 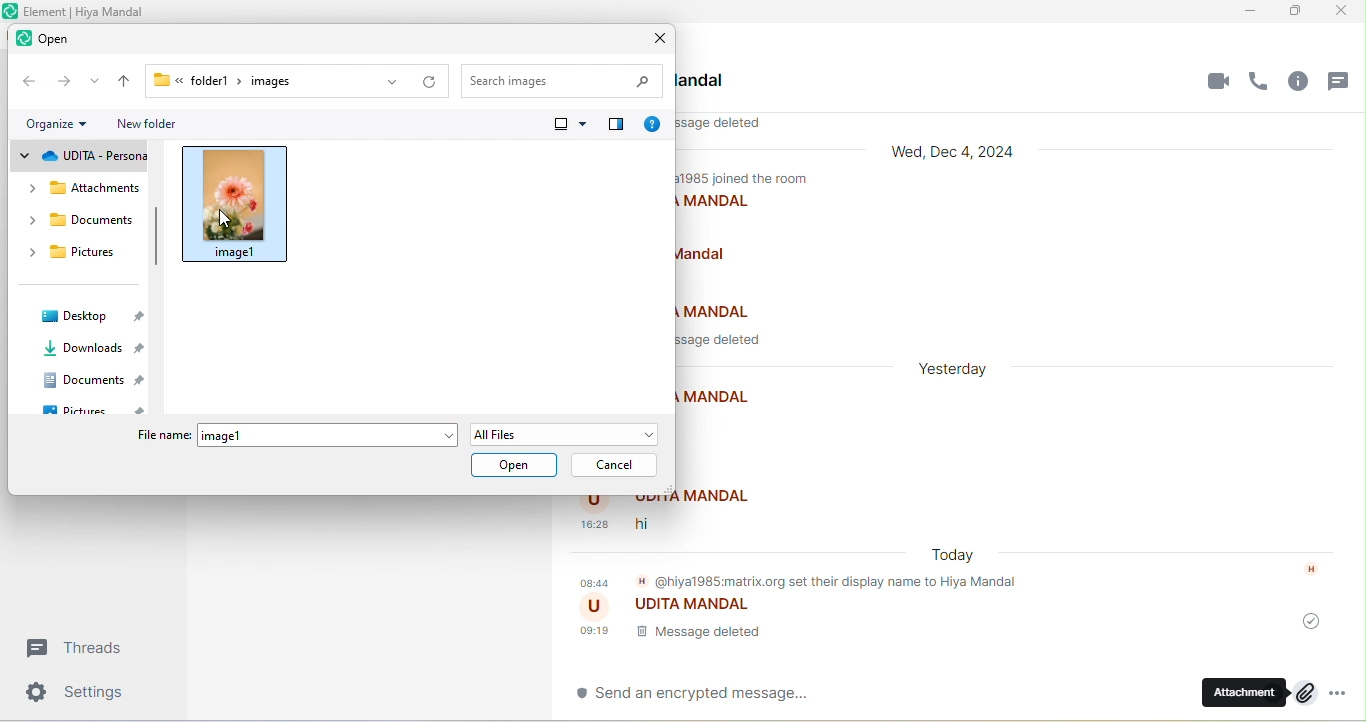 I want to click on message delete, so click(x=675, y=638).